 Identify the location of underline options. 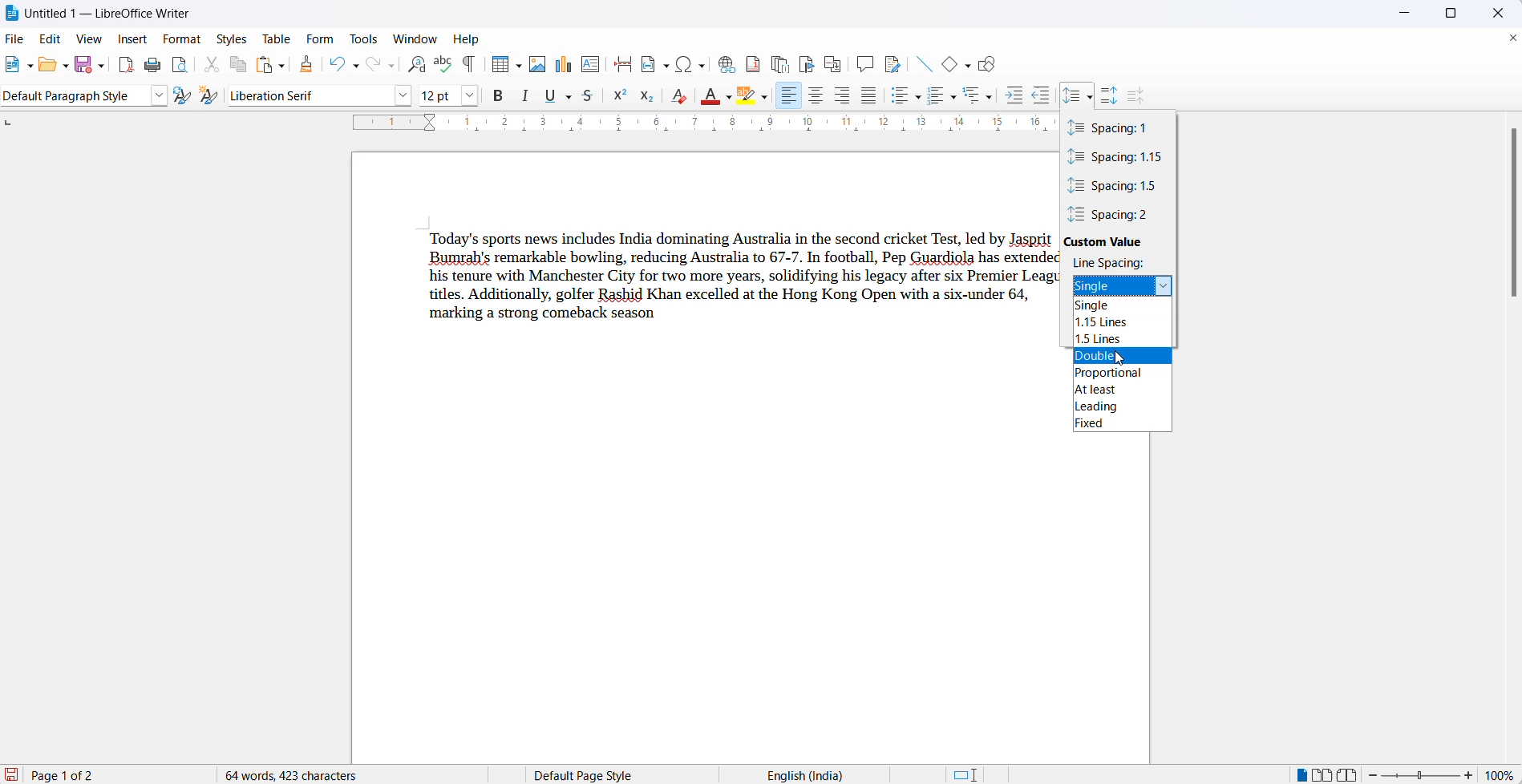
(569, 98).